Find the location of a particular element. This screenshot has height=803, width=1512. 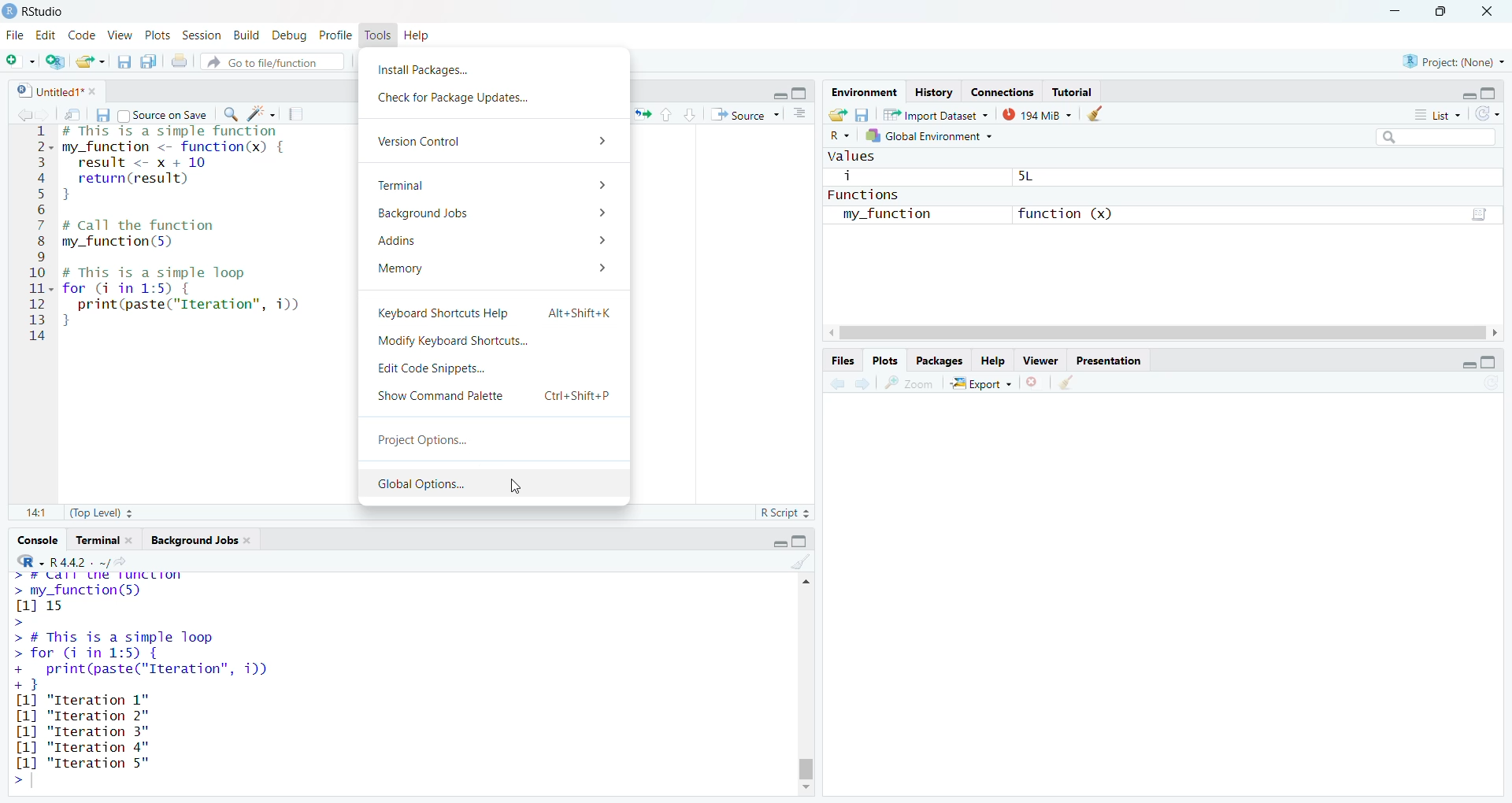

minimize is located at coordinates (1394, 9).